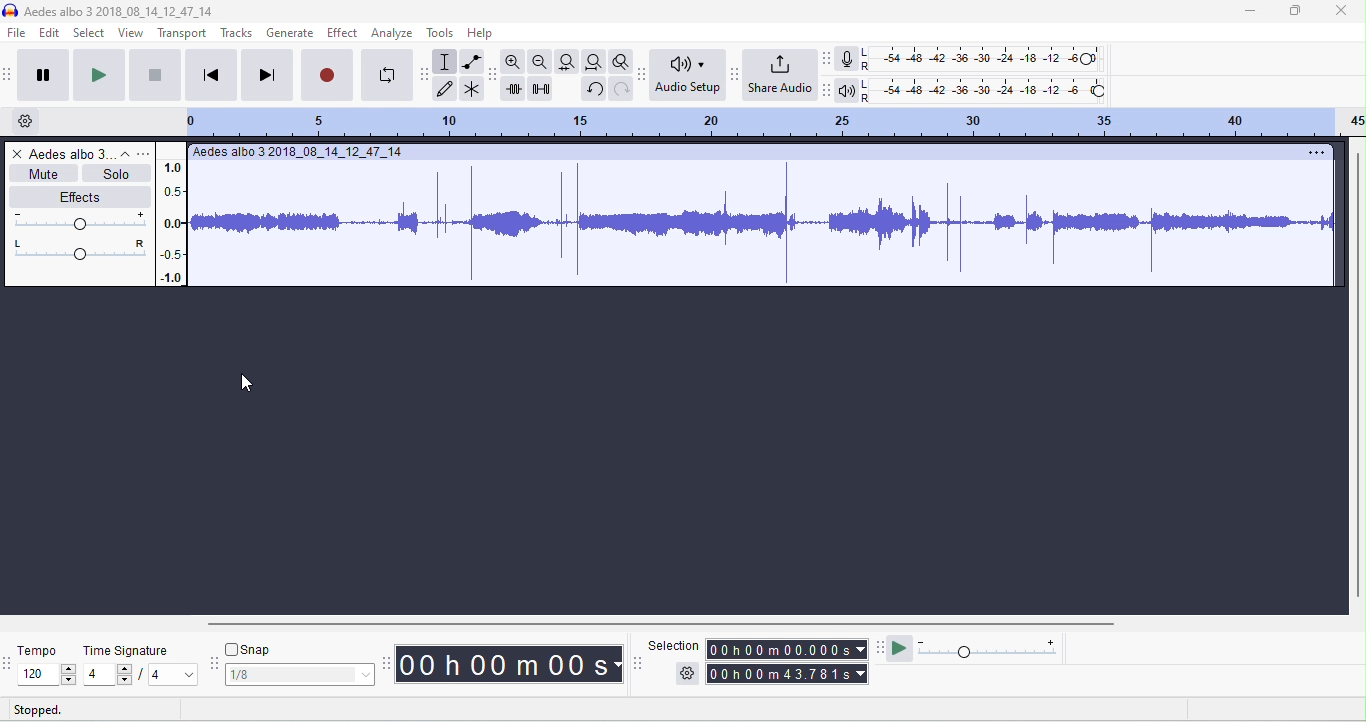 The height and width of the screenshot is (722, 1366). What do you see at coordinates (175, 221) in the screenshot?
I see `amplitude` at bounding box center [175, 221].